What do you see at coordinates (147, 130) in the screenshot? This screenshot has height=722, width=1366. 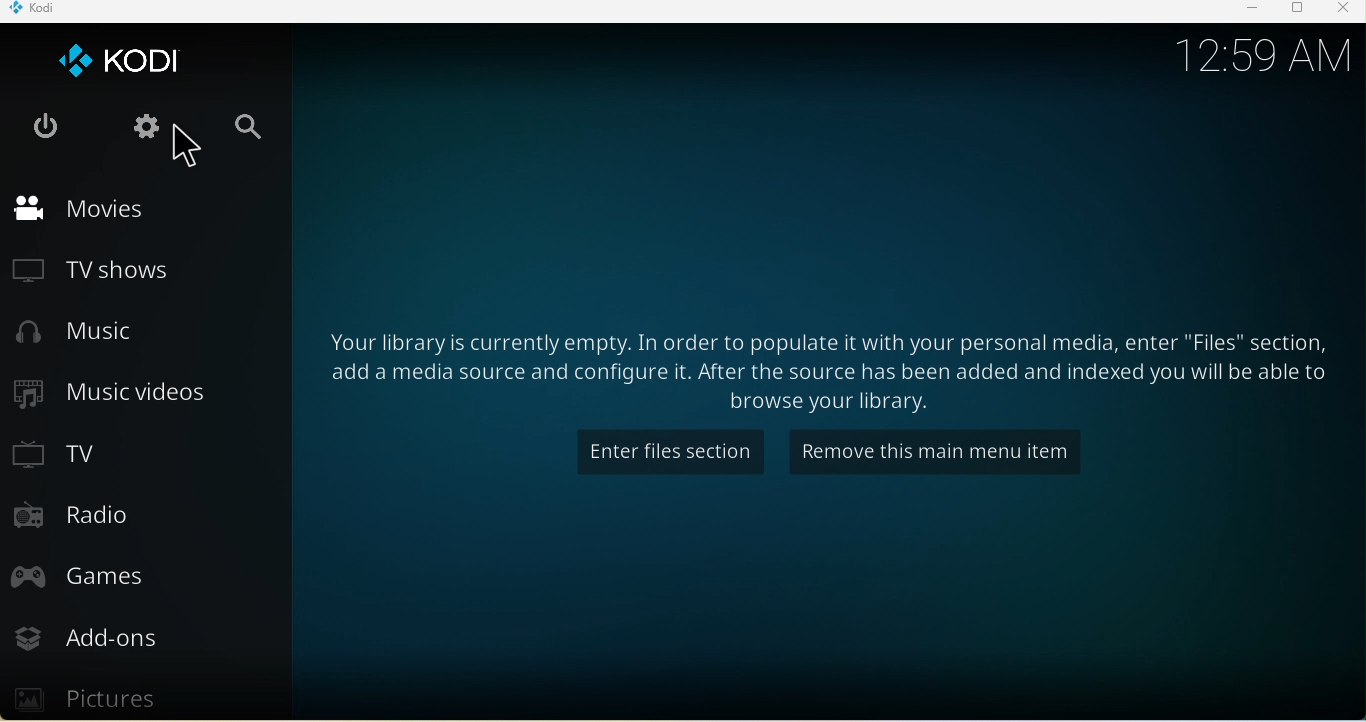 I see `Settings` at bounding box center [147, 130].